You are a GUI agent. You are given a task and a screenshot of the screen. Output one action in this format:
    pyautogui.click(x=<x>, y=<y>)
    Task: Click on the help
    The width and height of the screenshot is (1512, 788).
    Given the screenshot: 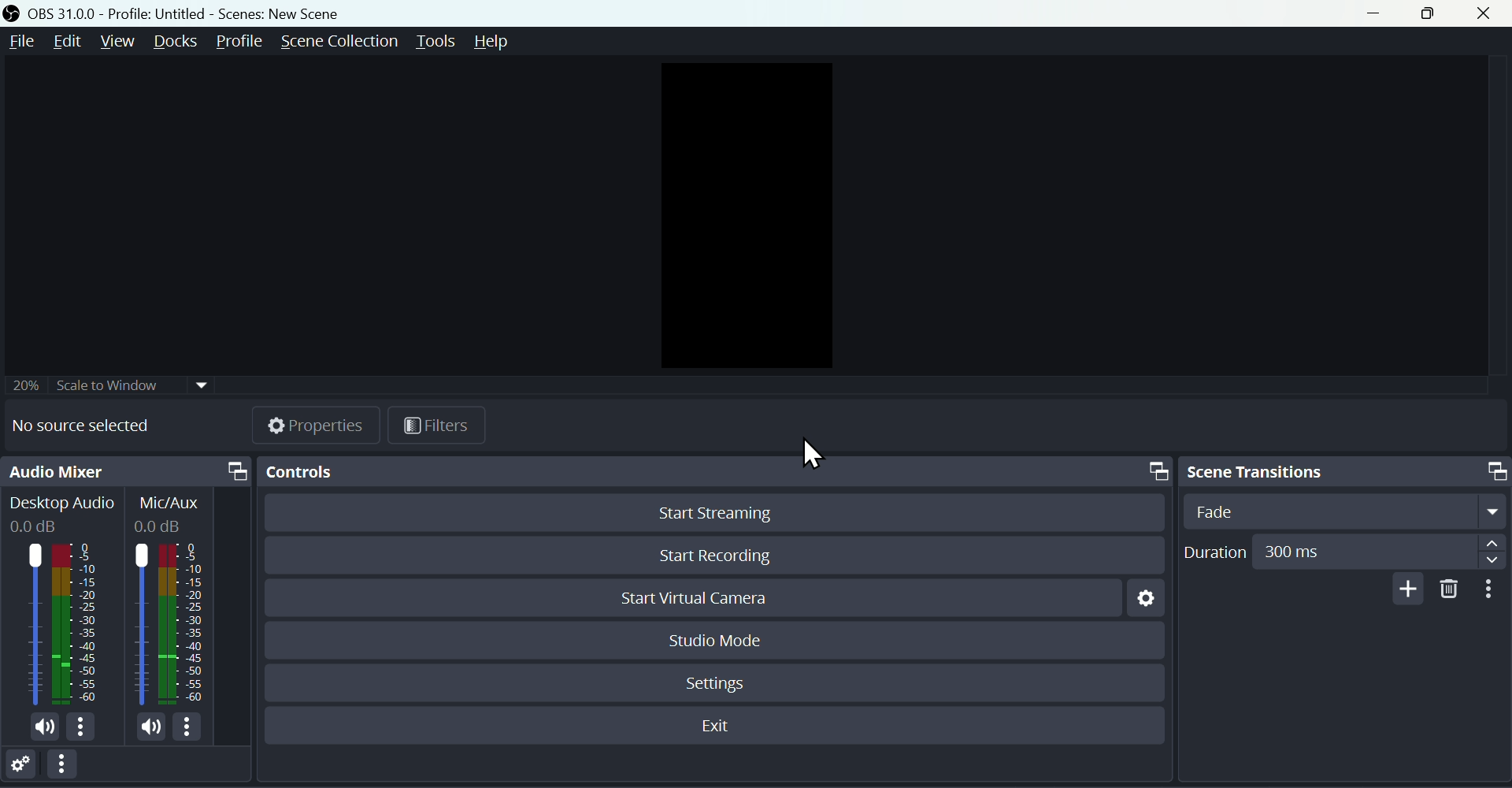 What is the action you would take?
    pyautogui.click(x=500, y=42)
    